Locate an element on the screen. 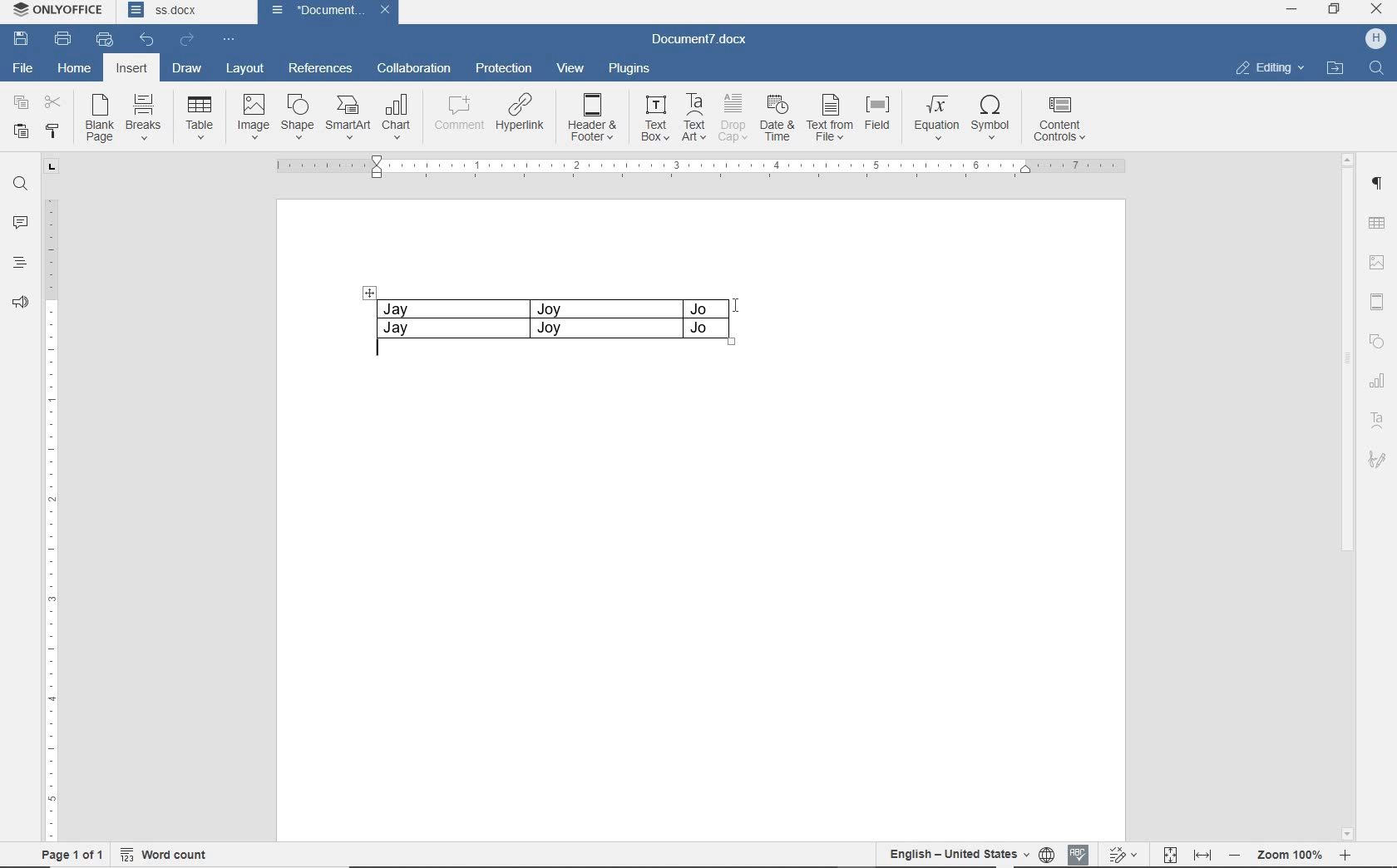 The height and width of the screenshot is (868, 1397). BLANK PAGE is located at coordinates (97, 120).